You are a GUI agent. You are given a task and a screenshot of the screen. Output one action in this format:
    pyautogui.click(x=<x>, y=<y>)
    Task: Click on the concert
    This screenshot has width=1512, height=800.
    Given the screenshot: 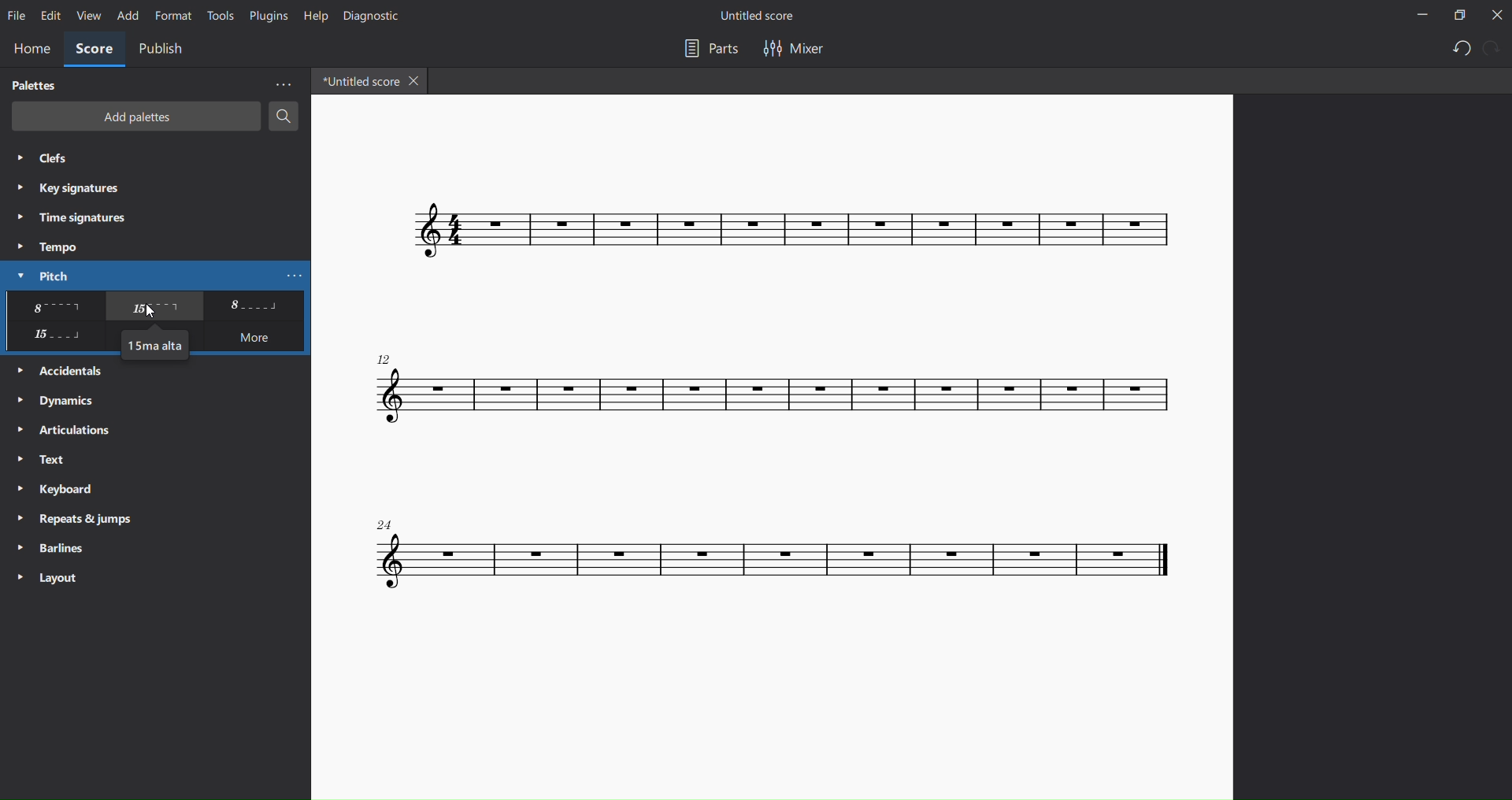 What is the action you would take?
    pyautogui.click(x=774, y=402)
    